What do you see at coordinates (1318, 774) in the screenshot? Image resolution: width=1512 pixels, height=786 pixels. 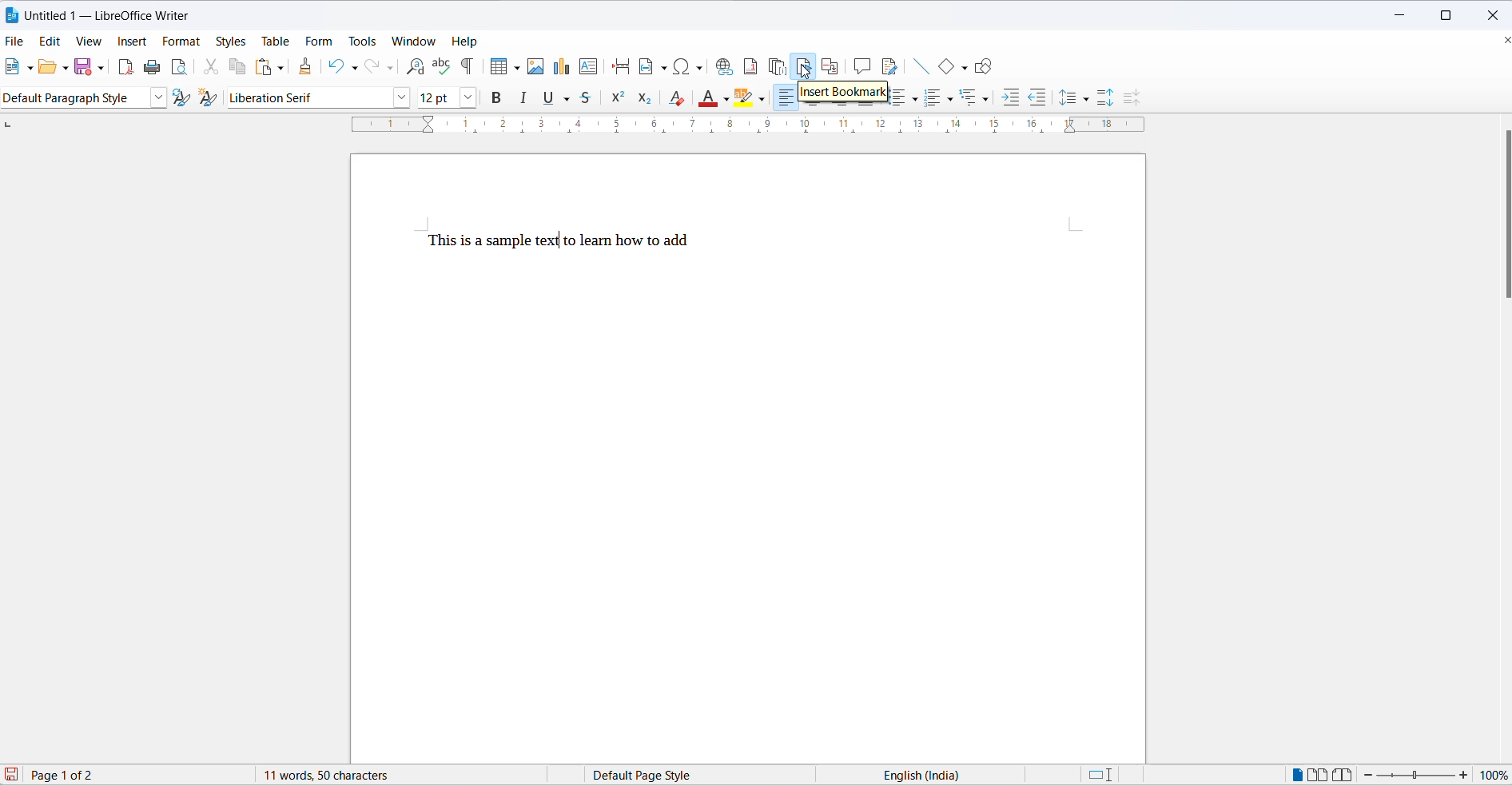 I see `multipage view` at bounding box center [1318, 774].